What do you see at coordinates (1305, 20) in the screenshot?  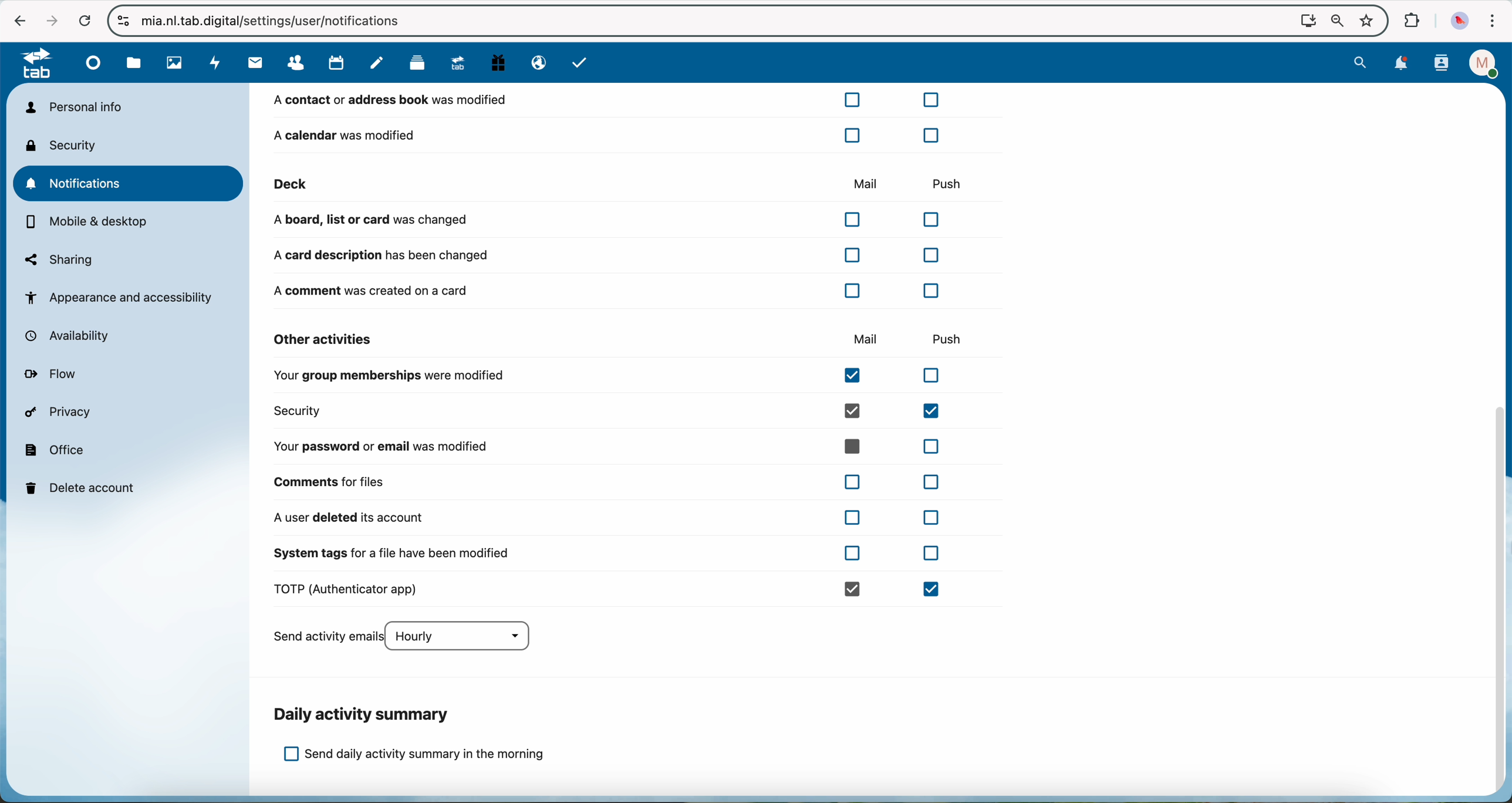 I see `Install NExtcloud` at bounding box center [1305, 20].